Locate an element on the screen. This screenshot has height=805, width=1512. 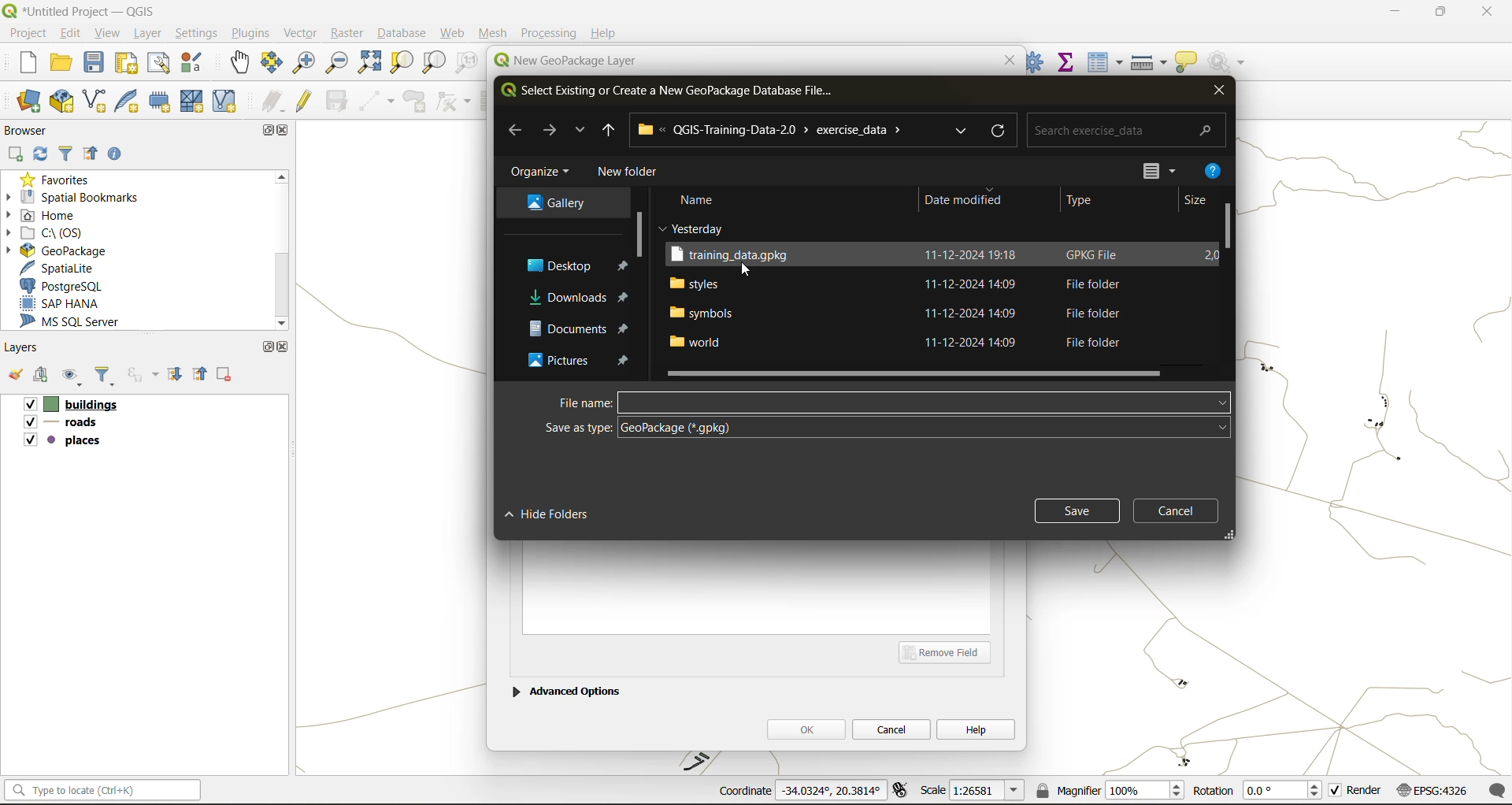
zoom layer is located at coordinates (434, 63).